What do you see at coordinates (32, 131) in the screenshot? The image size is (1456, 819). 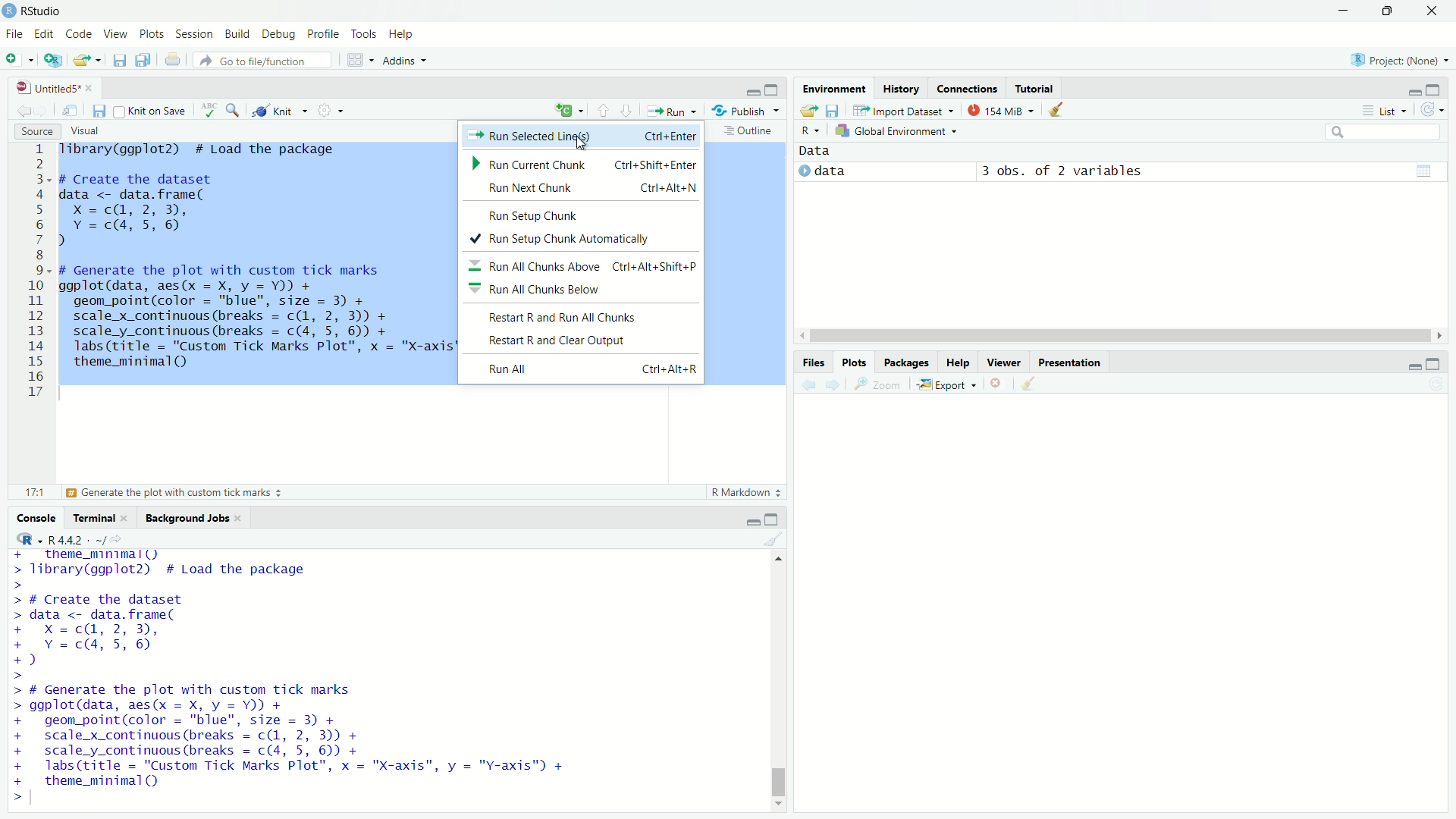 I see `source` at bounding box center [32, 131].